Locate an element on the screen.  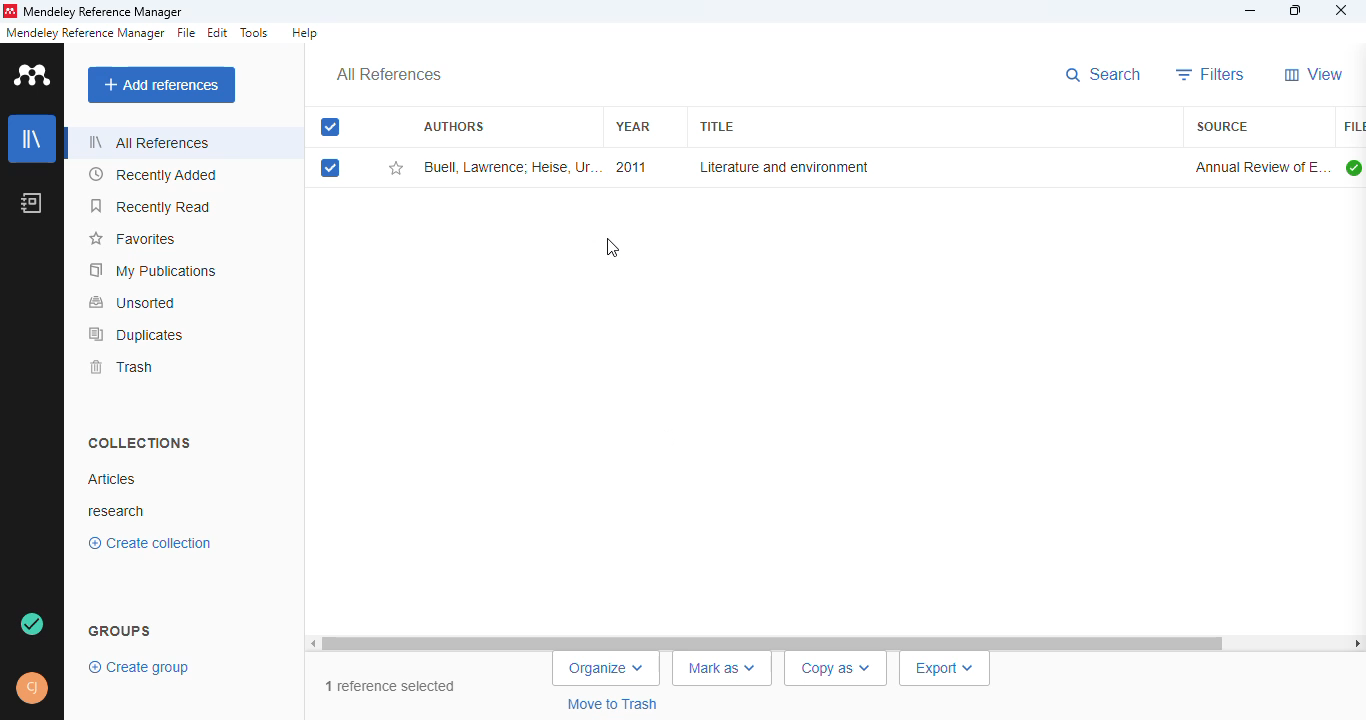
groups is located at coordinates (121, 632).